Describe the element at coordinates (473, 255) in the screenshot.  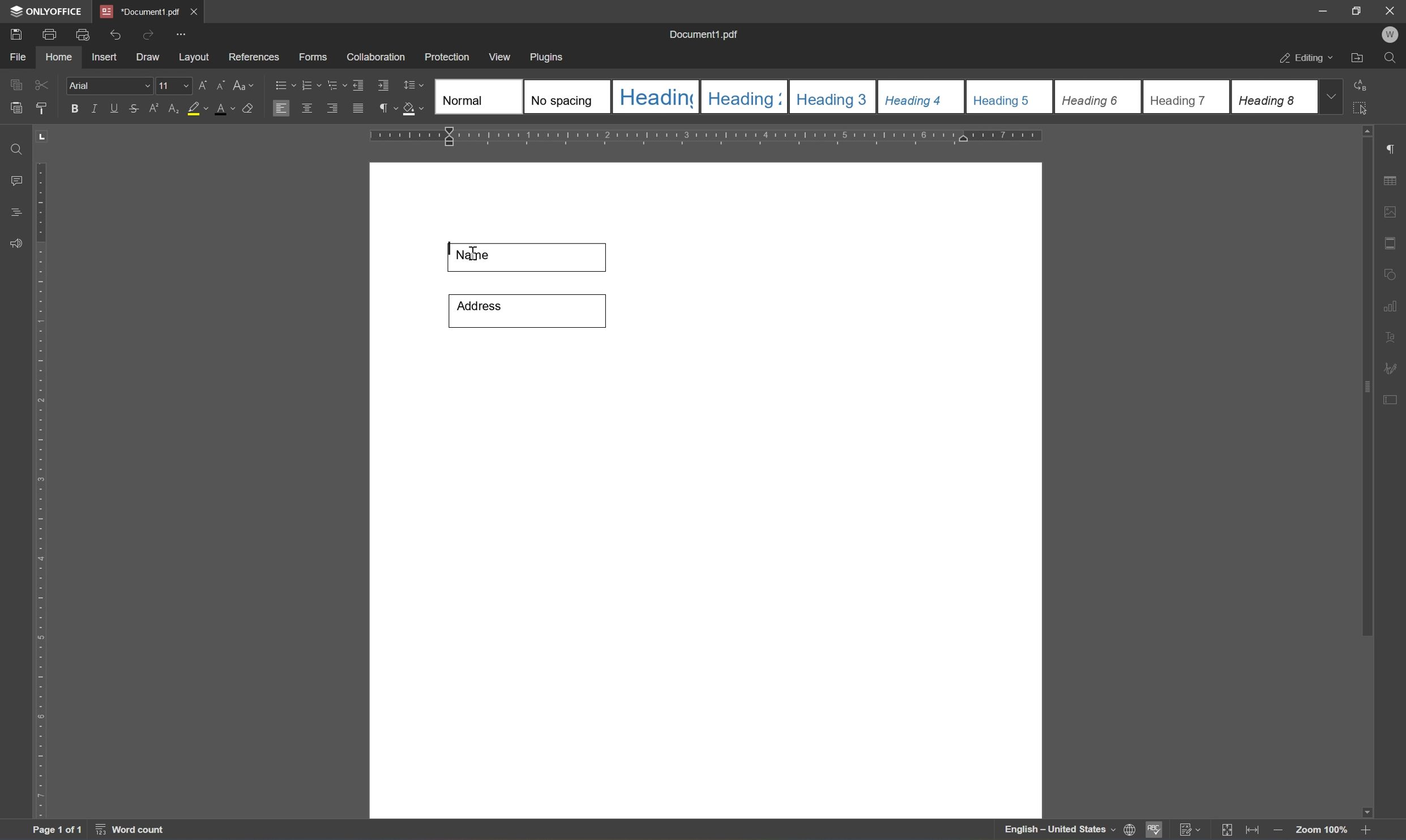
I see `text cursor` at that location.